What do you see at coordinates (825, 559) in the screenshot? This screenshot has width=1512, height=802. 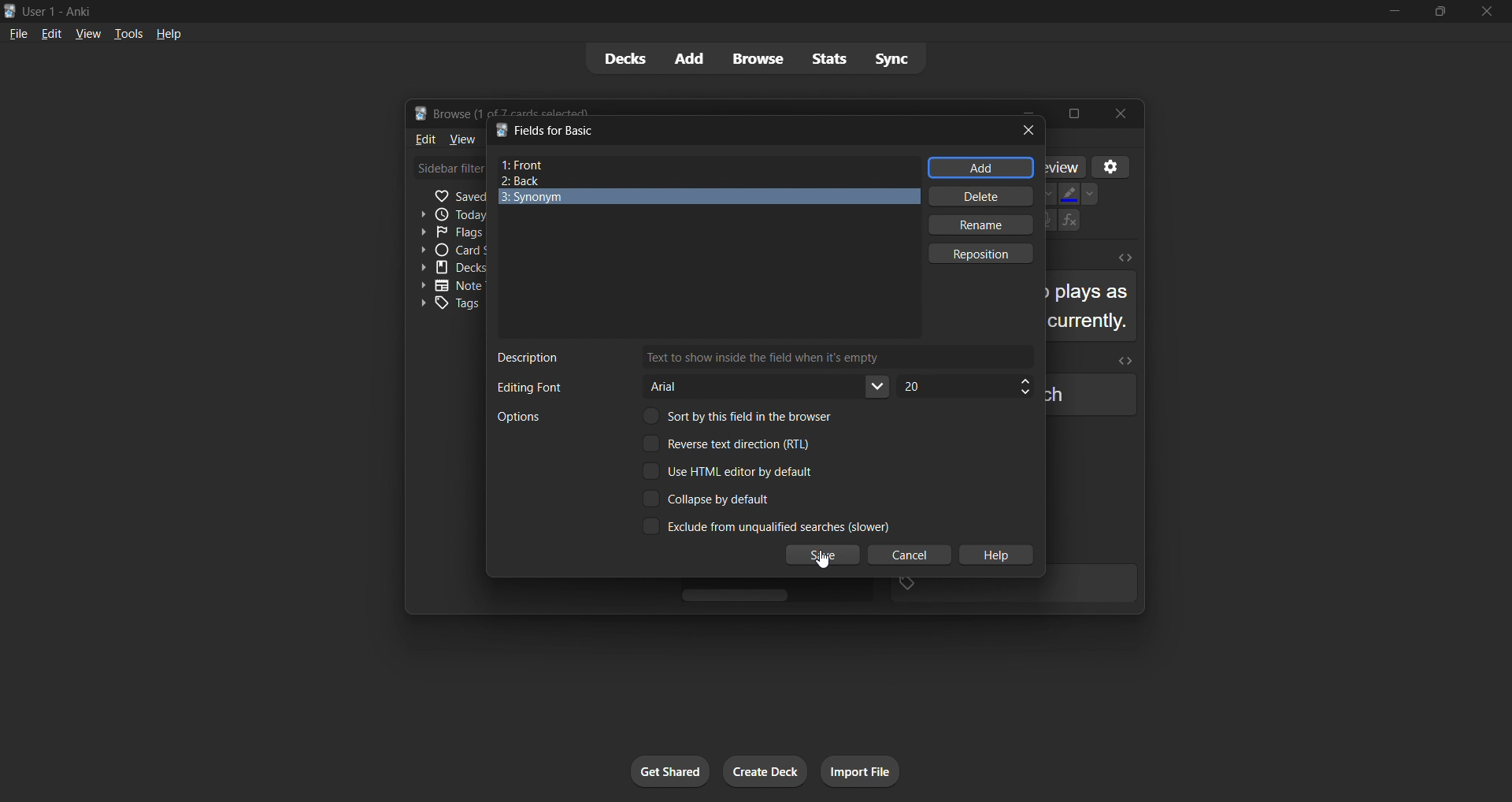 I see `cursor` at bounding box center [825, 559].